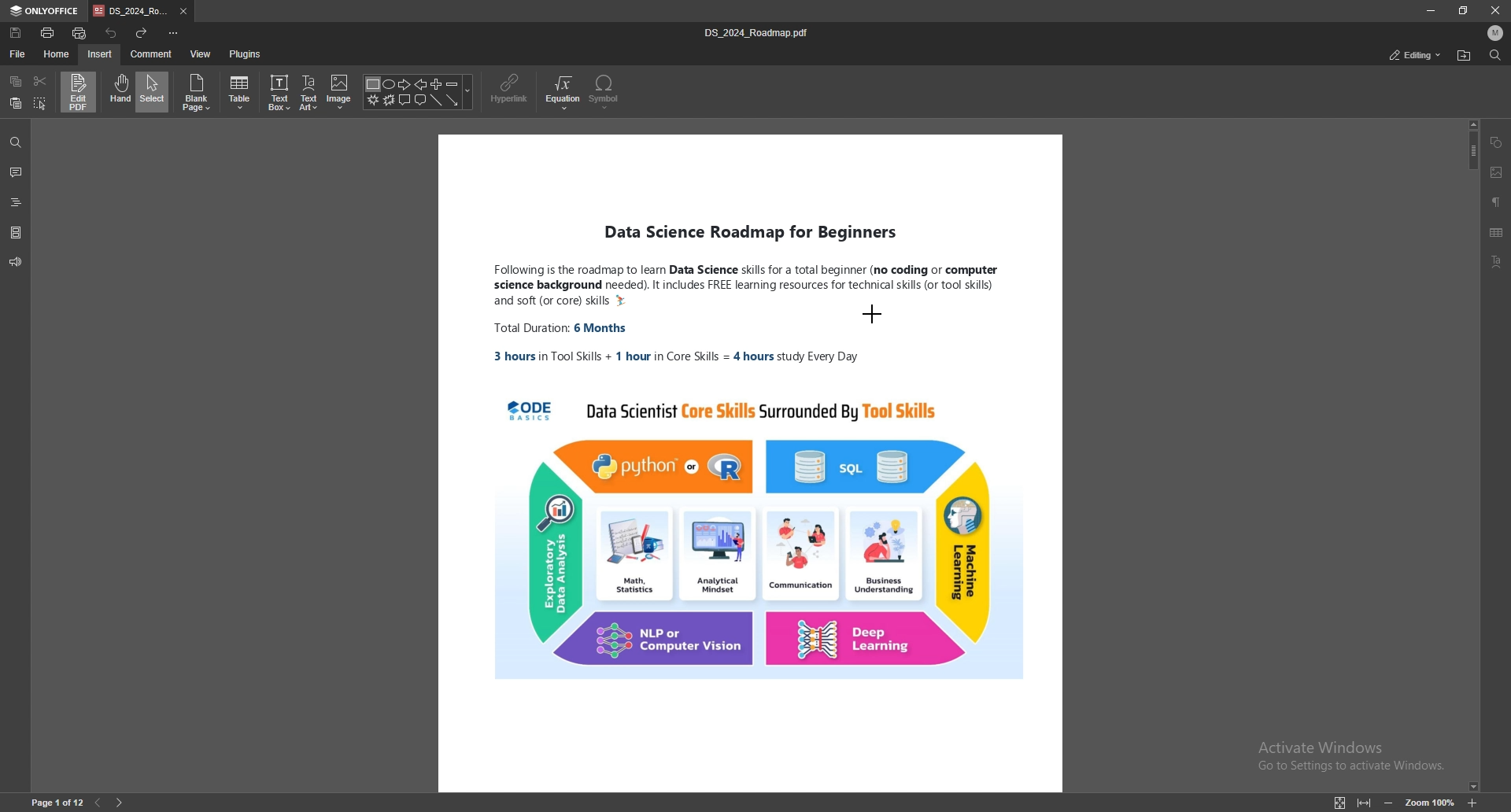 The height and width of the screenshot is (812, 1511). What do you see at coordinates (16, 104) in the screenshot?
I see `paste` at bounding box center [16, 104].